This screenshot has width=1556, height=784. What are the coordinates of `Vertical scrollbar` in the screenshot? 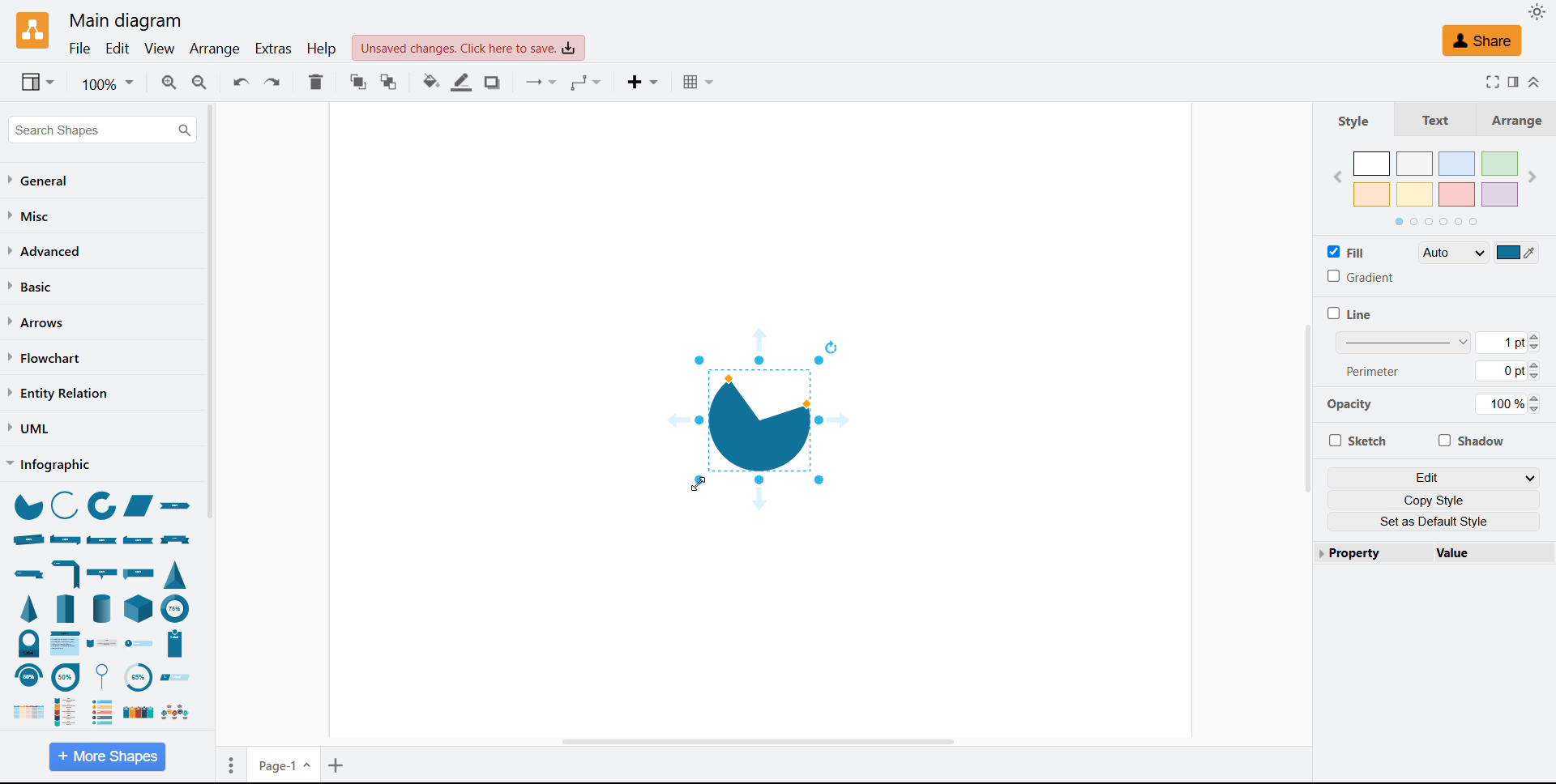 It's located at (1307, 408).